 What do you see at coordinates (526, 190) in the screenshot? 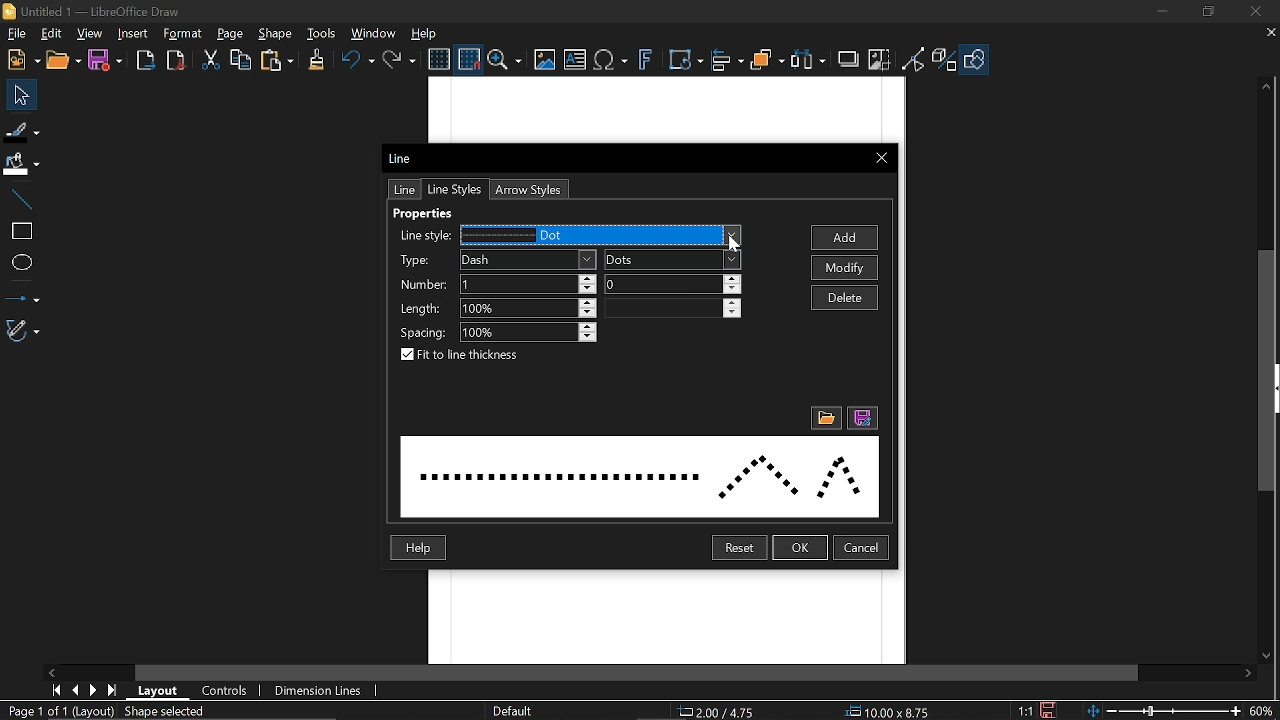
I see `Arrow styles` at bounding box center [526, 190].